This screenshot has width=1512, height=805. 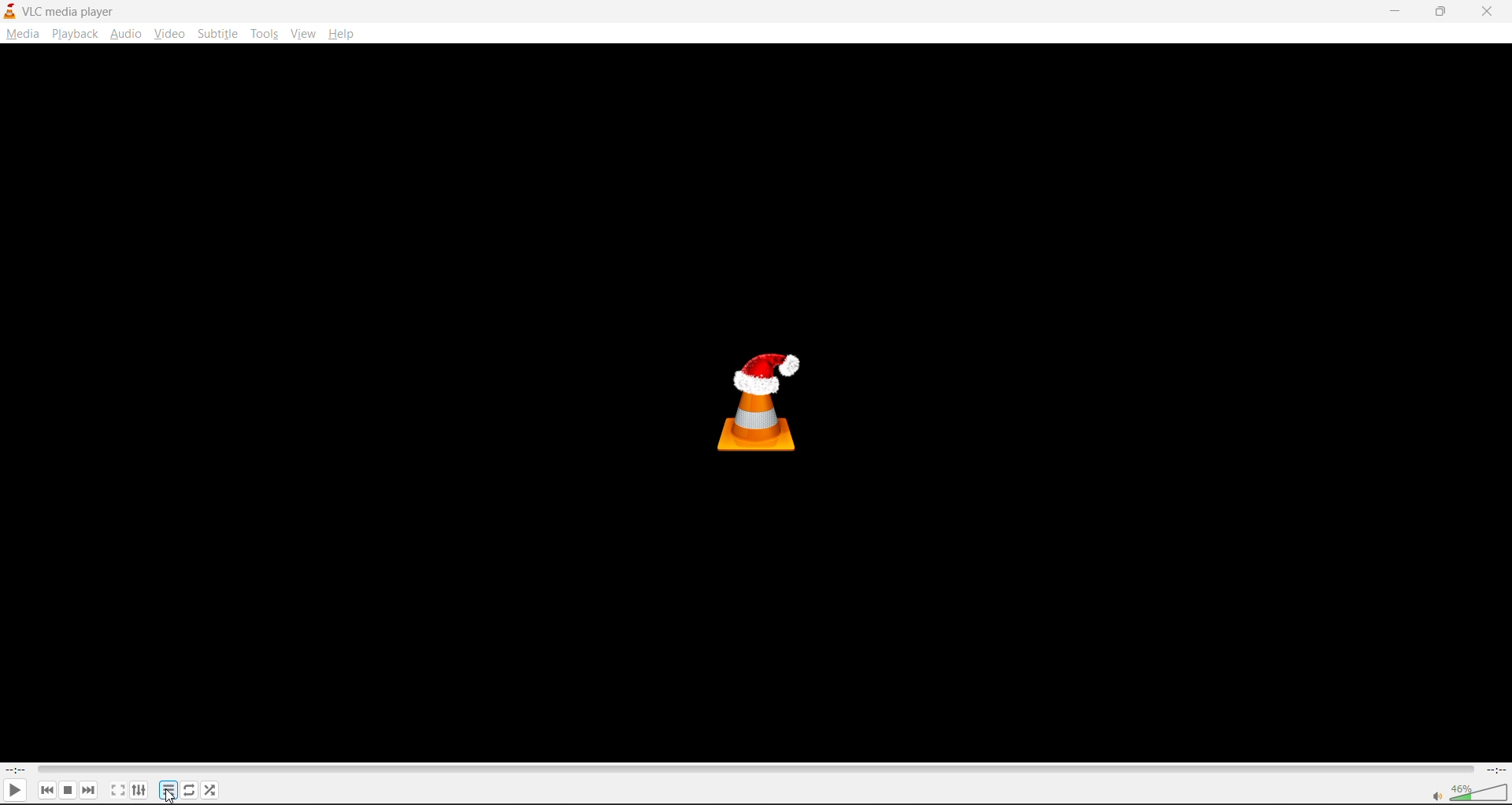 What do you see at coordinates (124, 35) in the screenshot?
I see `audio` at bounding box center [124, 35].